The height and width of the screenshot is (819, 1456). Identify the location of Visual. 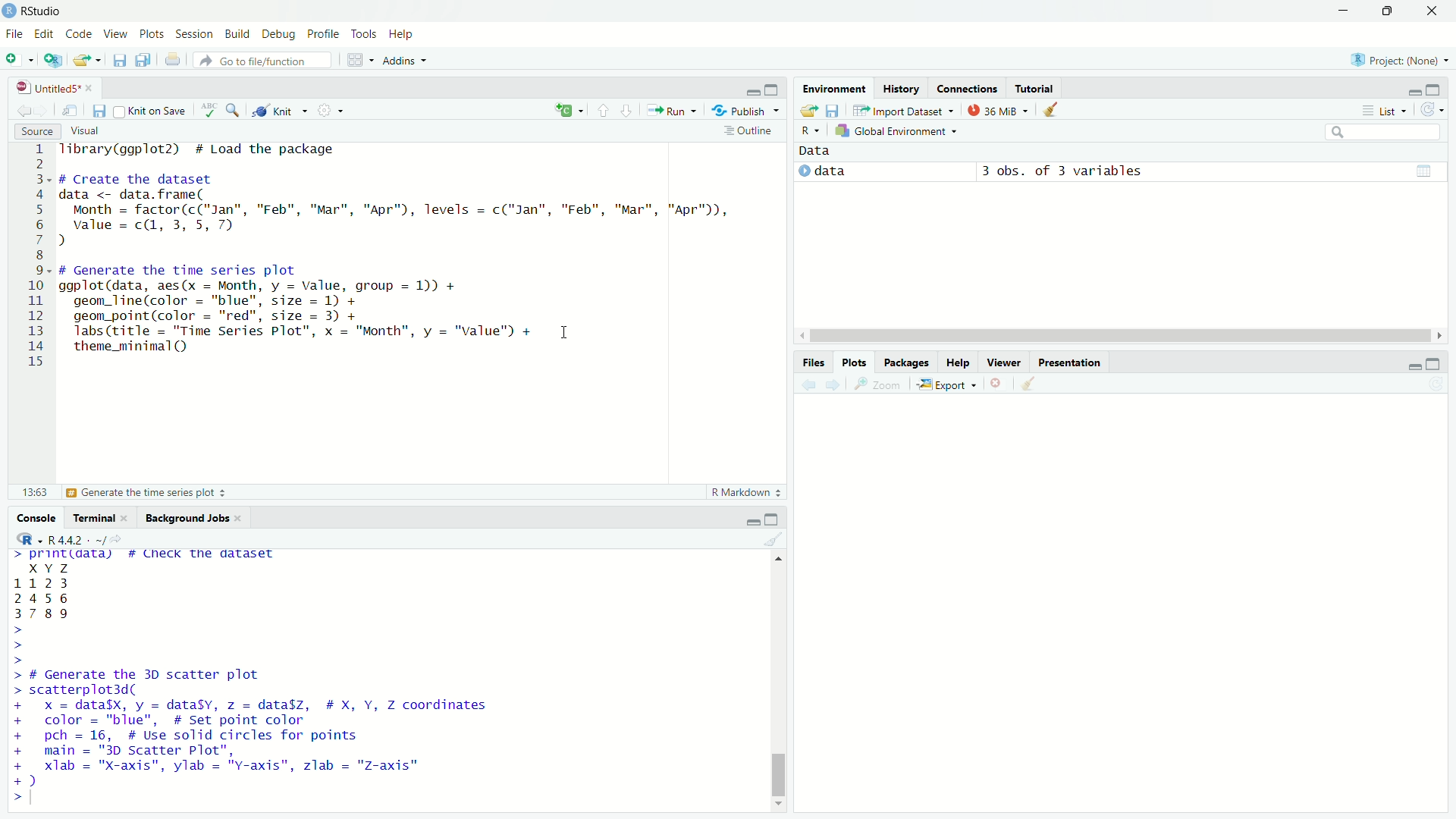
(85, 130).